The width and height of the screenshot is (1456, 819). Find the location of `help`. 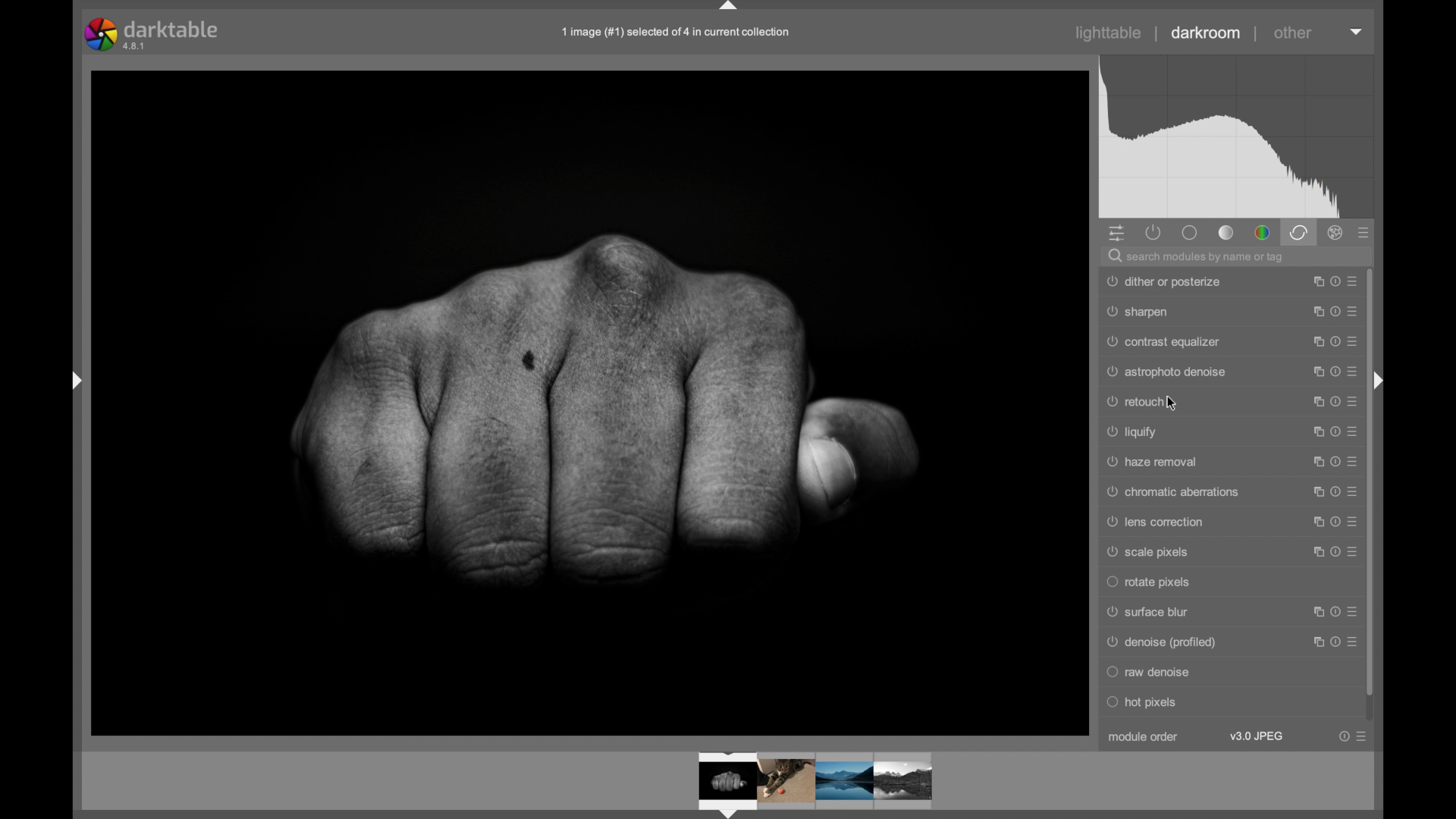

help is located at coordinates (1342, 736).